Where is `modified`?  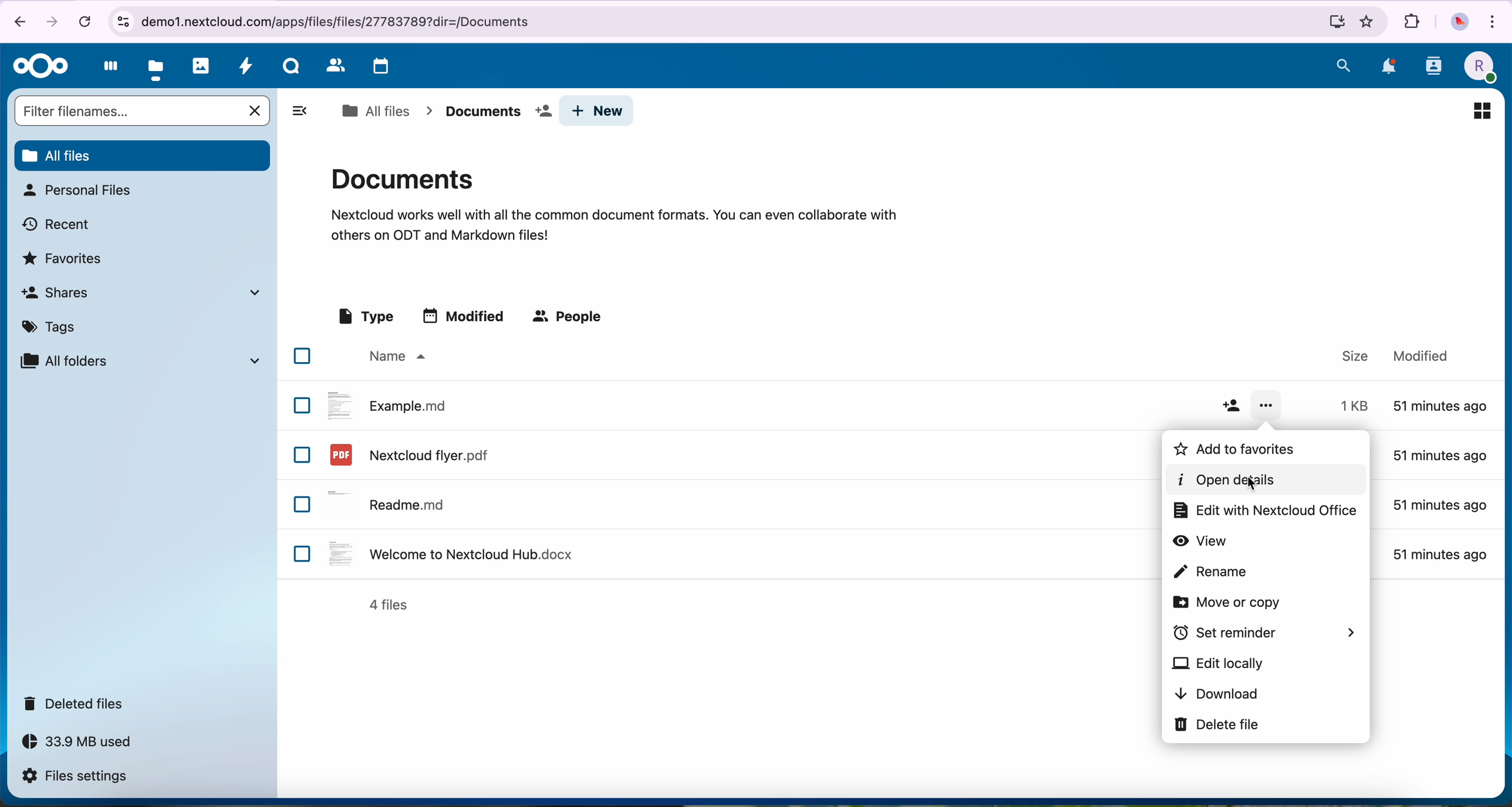 modified is located at coordinates (1439, 505).